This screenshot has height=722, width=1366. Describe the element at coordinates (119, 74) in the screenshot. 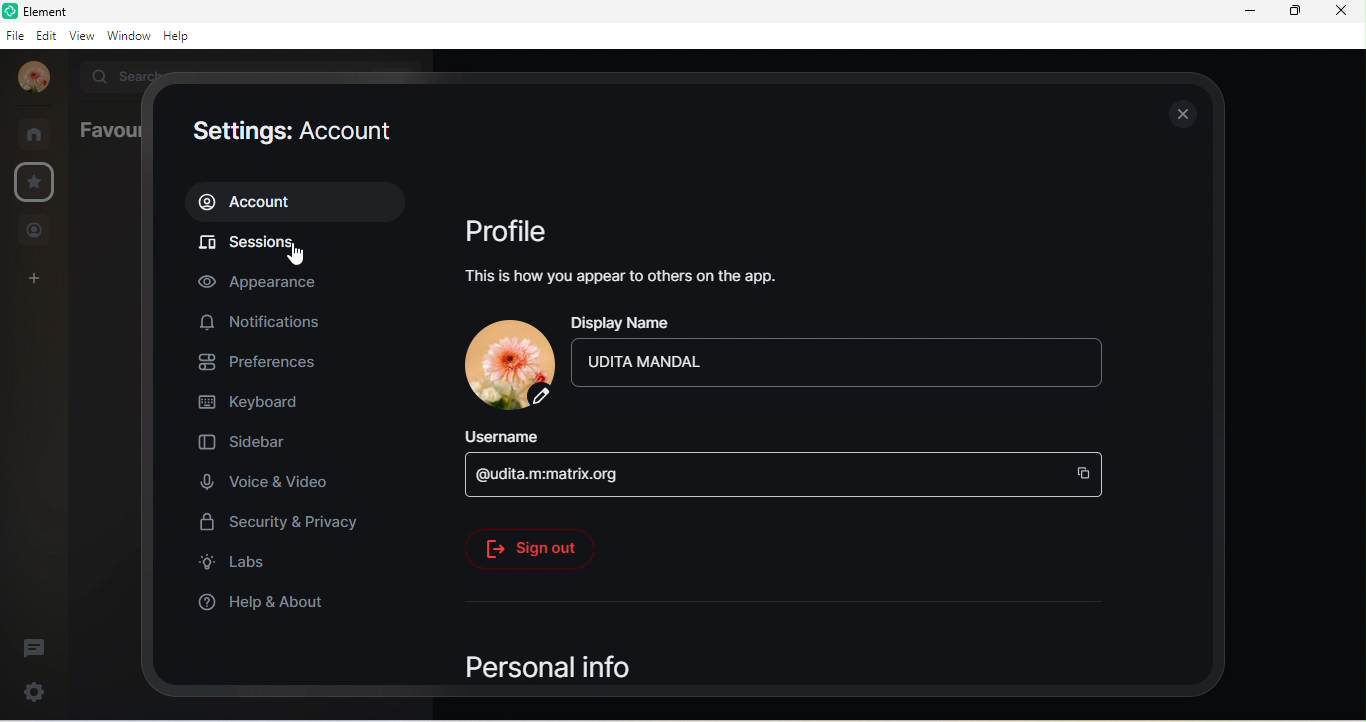

I see `search` at that location.